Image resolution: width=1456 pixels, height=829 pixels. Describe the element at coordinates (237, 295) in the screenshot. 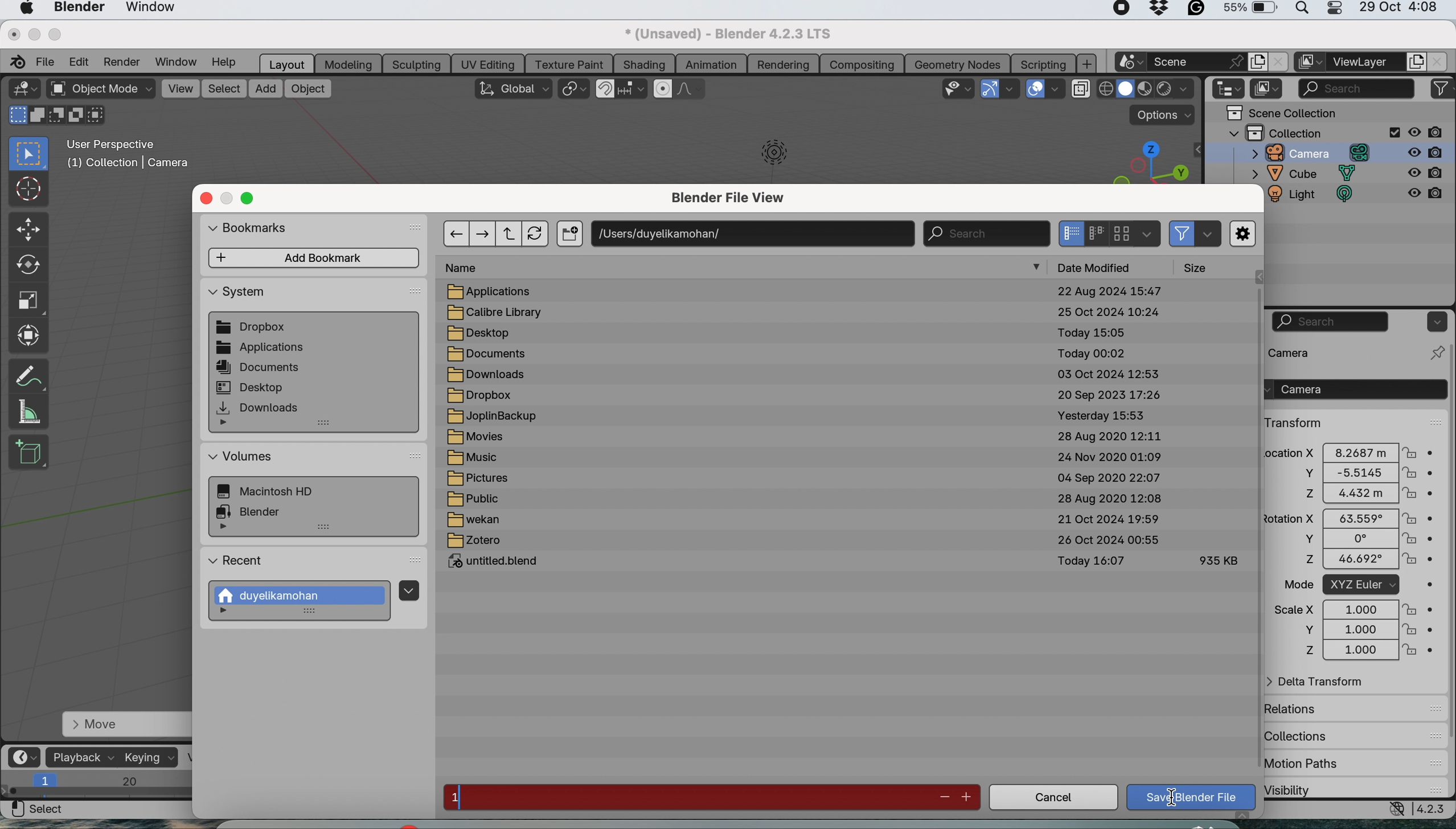

I see `system` at that location.